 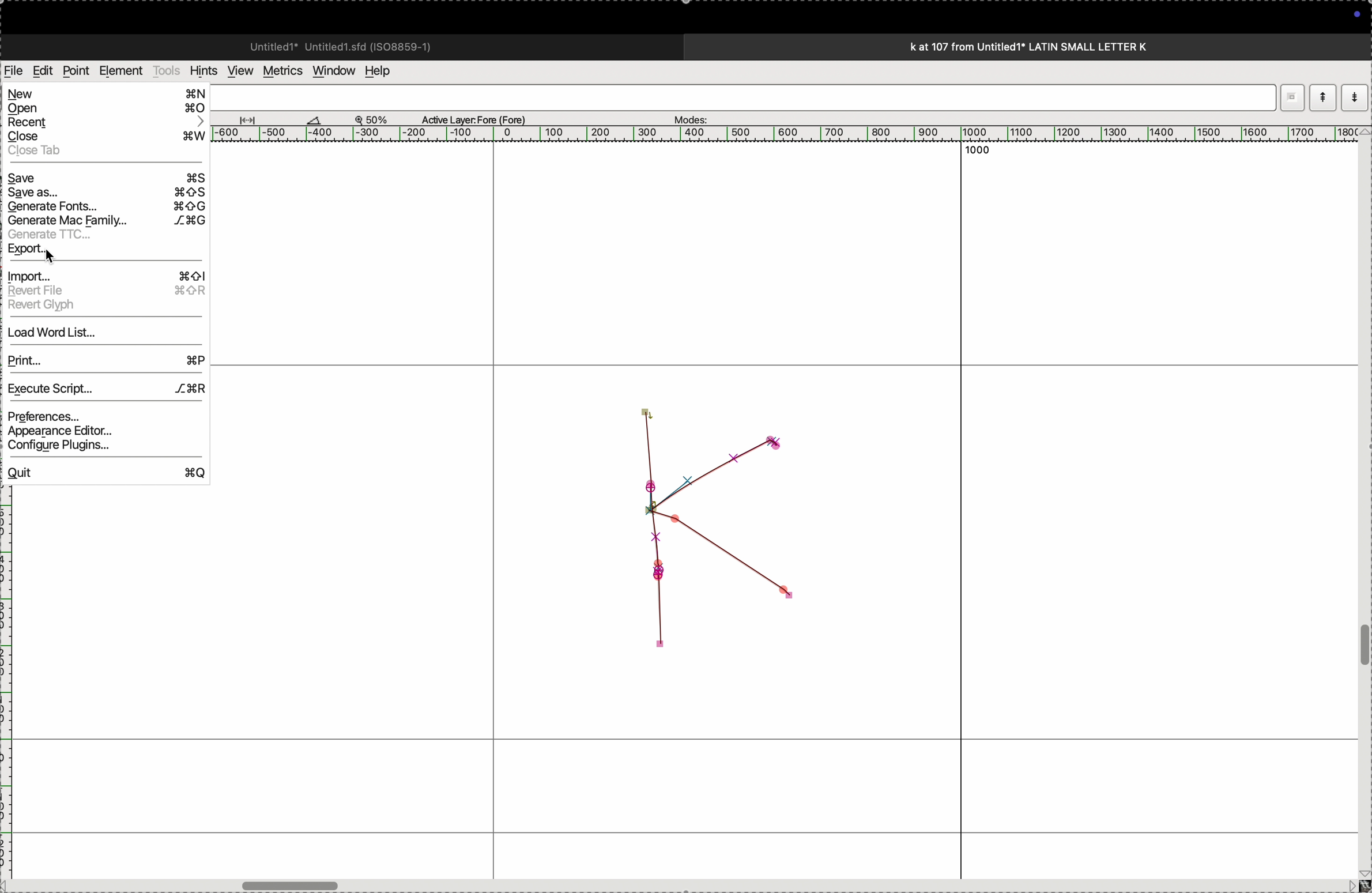 What do you see at coordinates (281, 71) in the screenshot?
I see `metrics` at bounding box center [281, 71].